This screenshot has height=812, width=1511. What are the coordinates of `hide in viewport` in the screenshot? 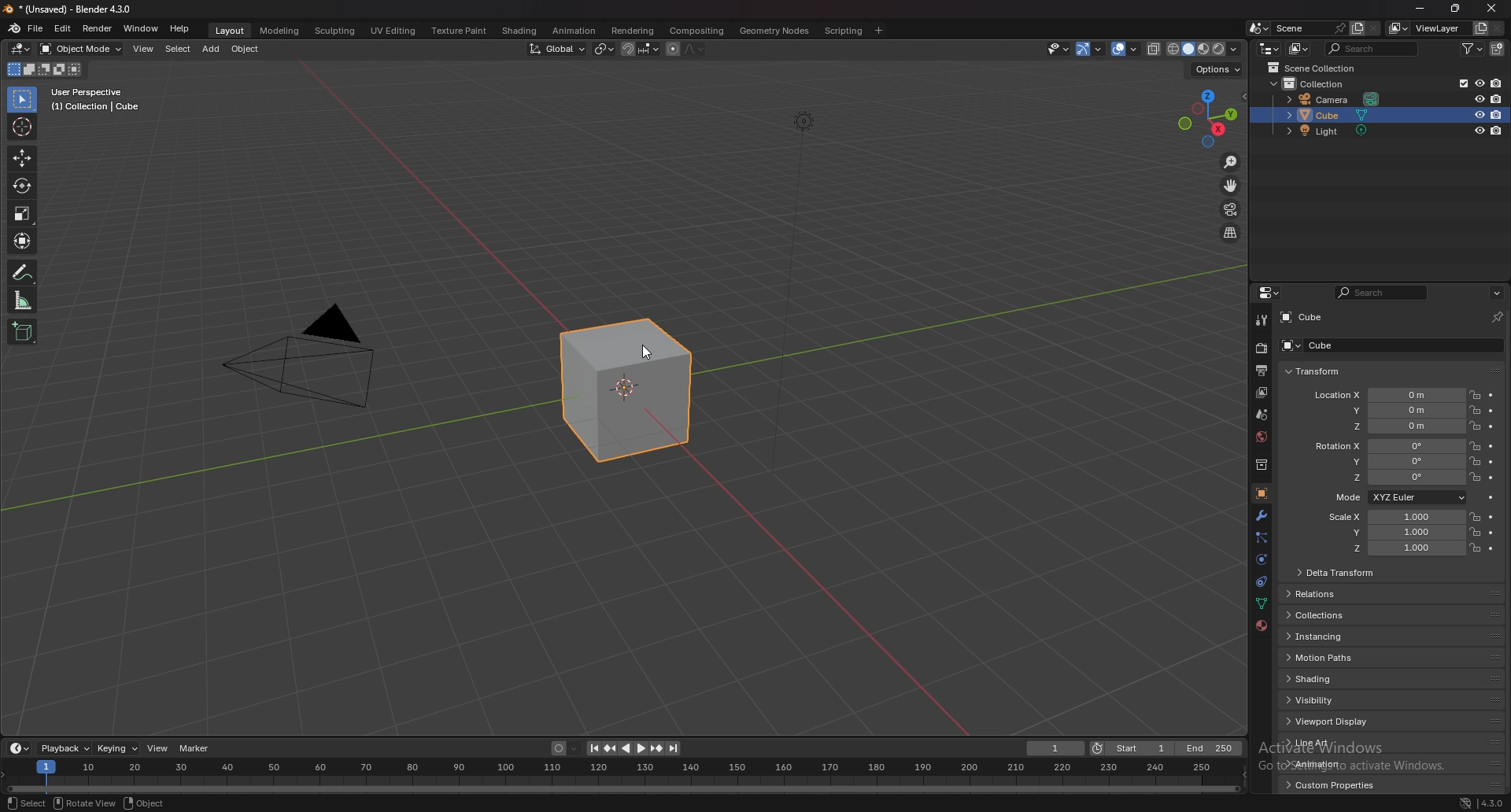 It's located at (1479, 83).